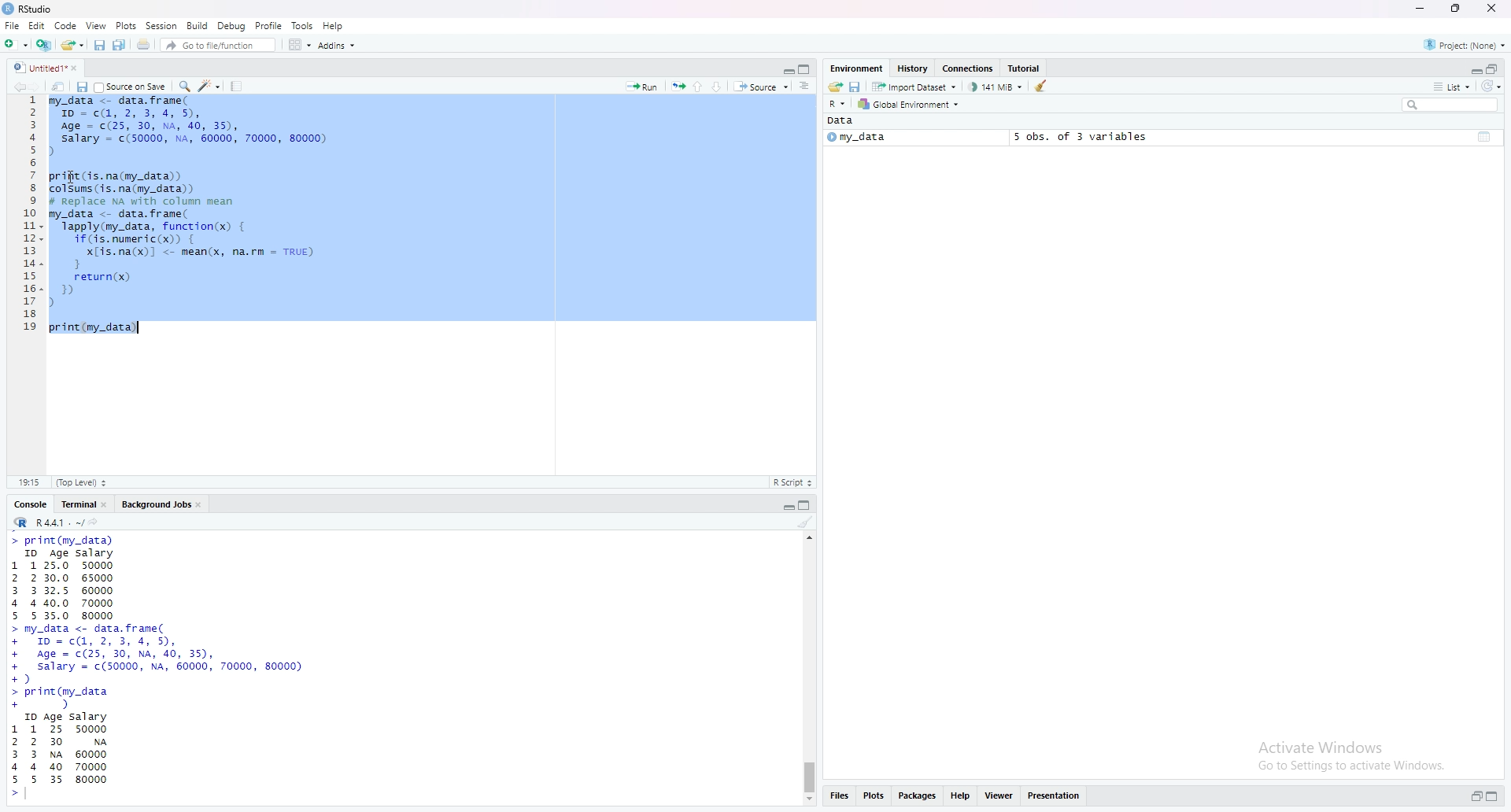 The height and width of the screenshot is (812, 1511). I want to click on Environment, so click(858, 68).